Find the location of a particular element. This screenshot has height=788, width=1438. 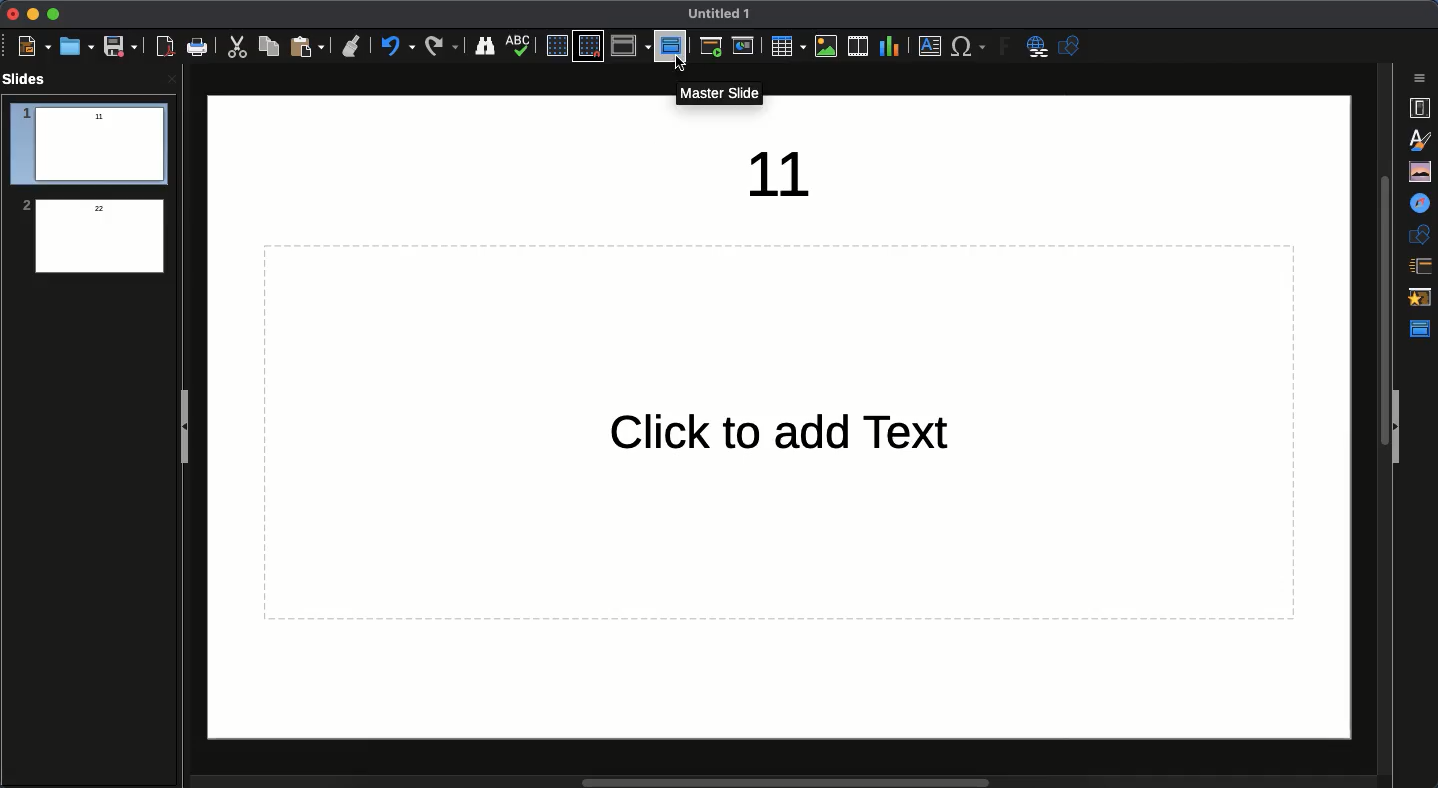

Master slide is located at coordinates (670, 45).